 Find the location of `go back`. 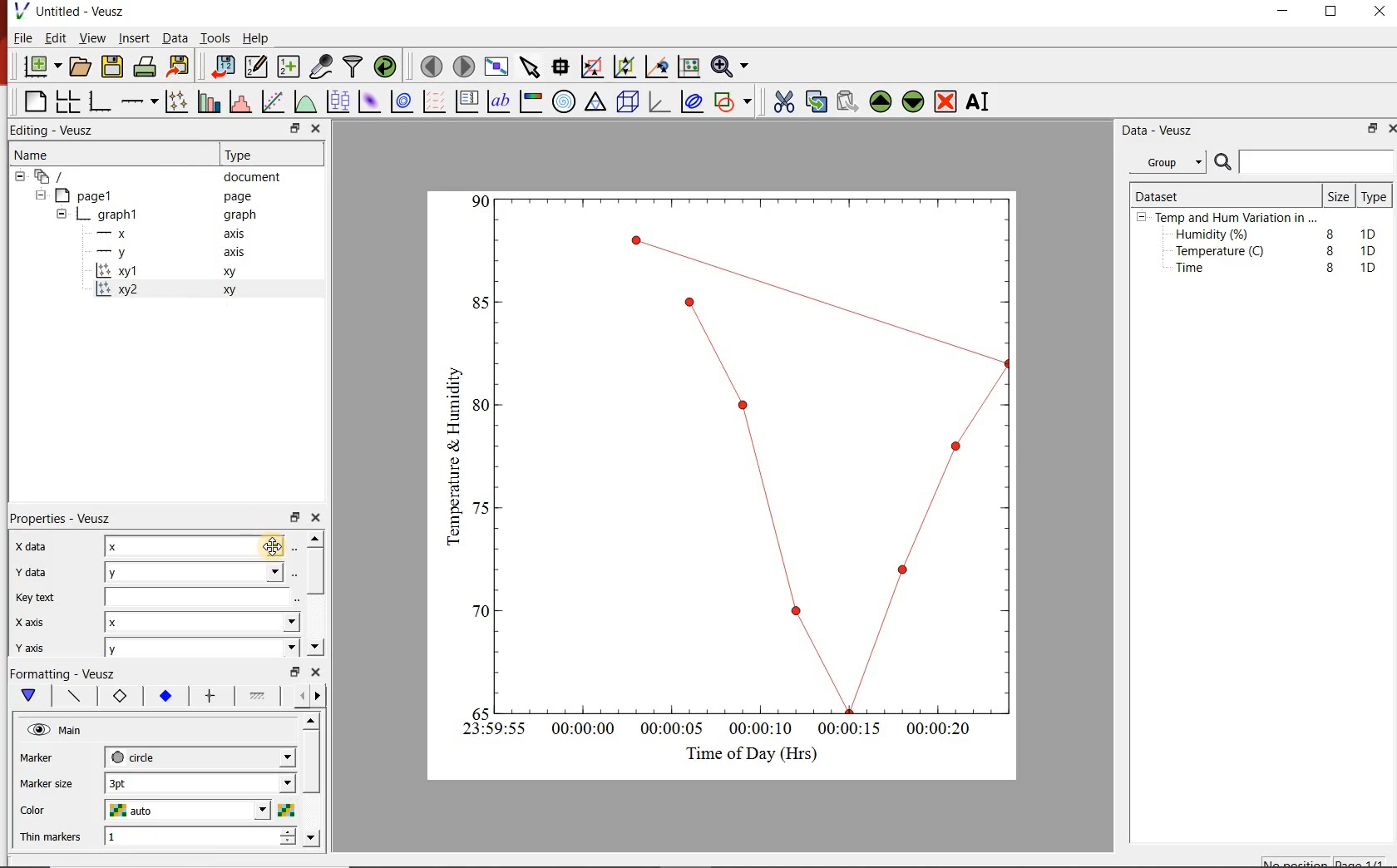

go back is located at coordinates (296, 694).